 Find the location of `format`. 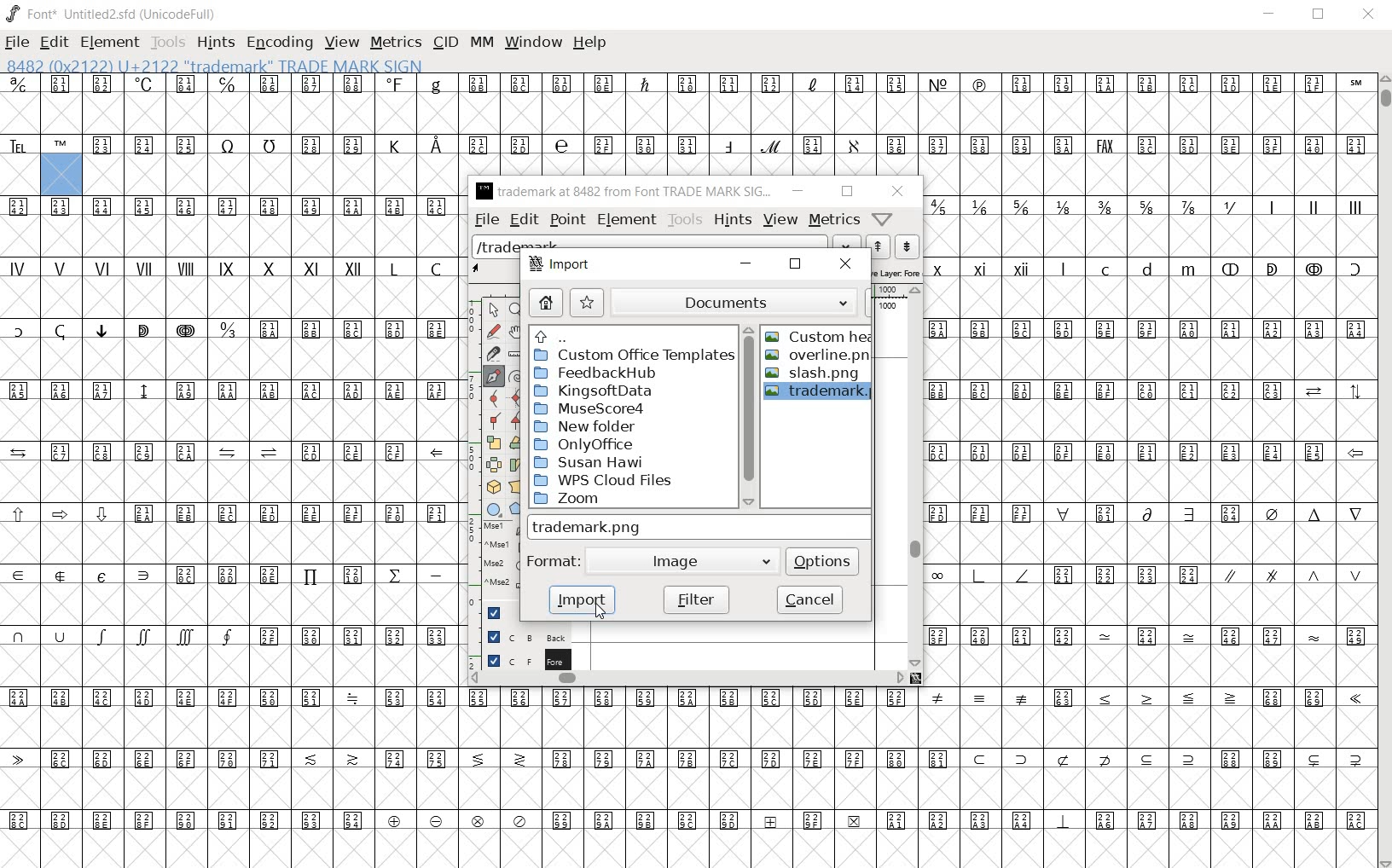

format is located at coordinates (555, 558).